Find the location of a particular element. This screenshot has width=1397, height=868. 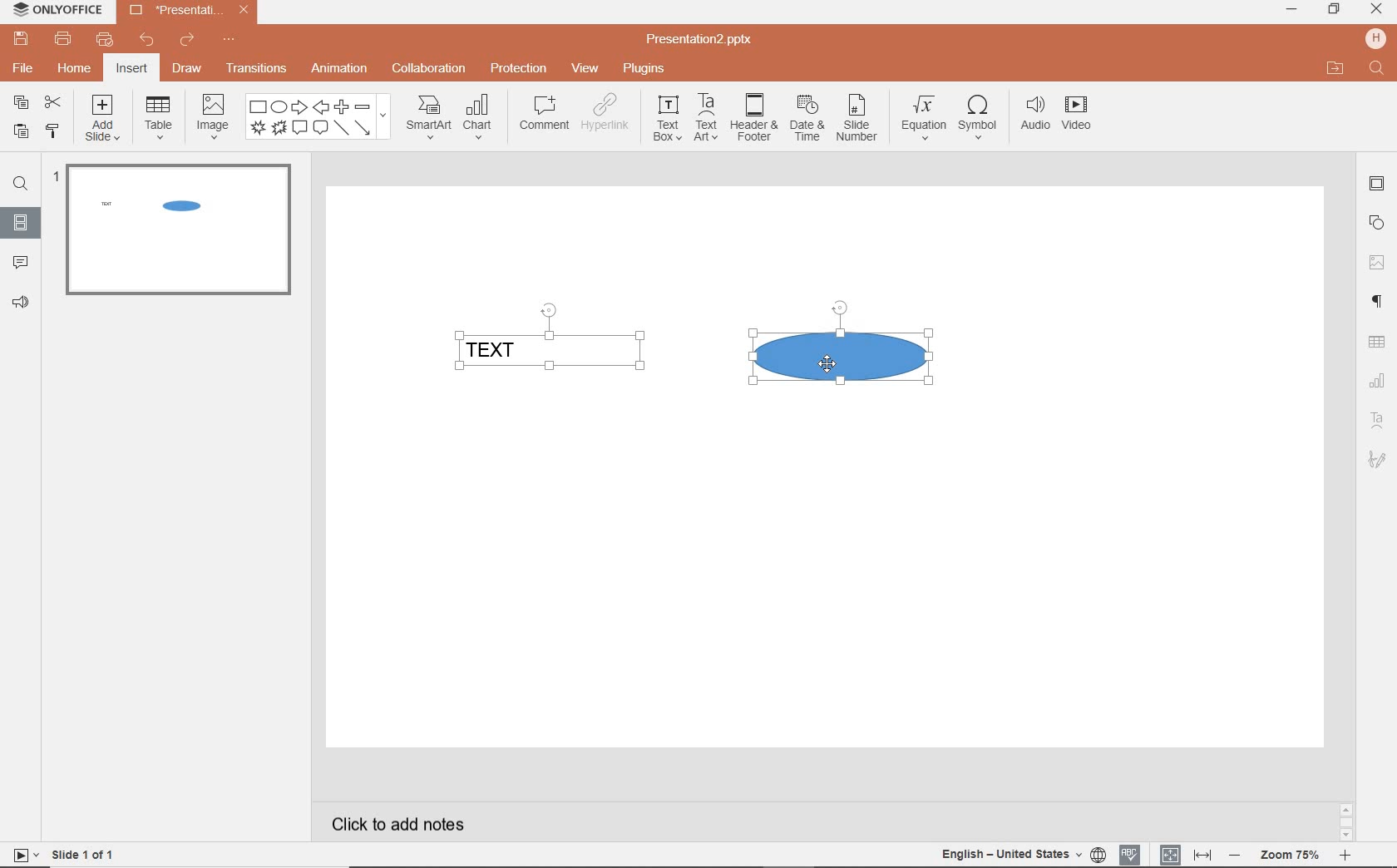

image is located at coordinates (210, 116).